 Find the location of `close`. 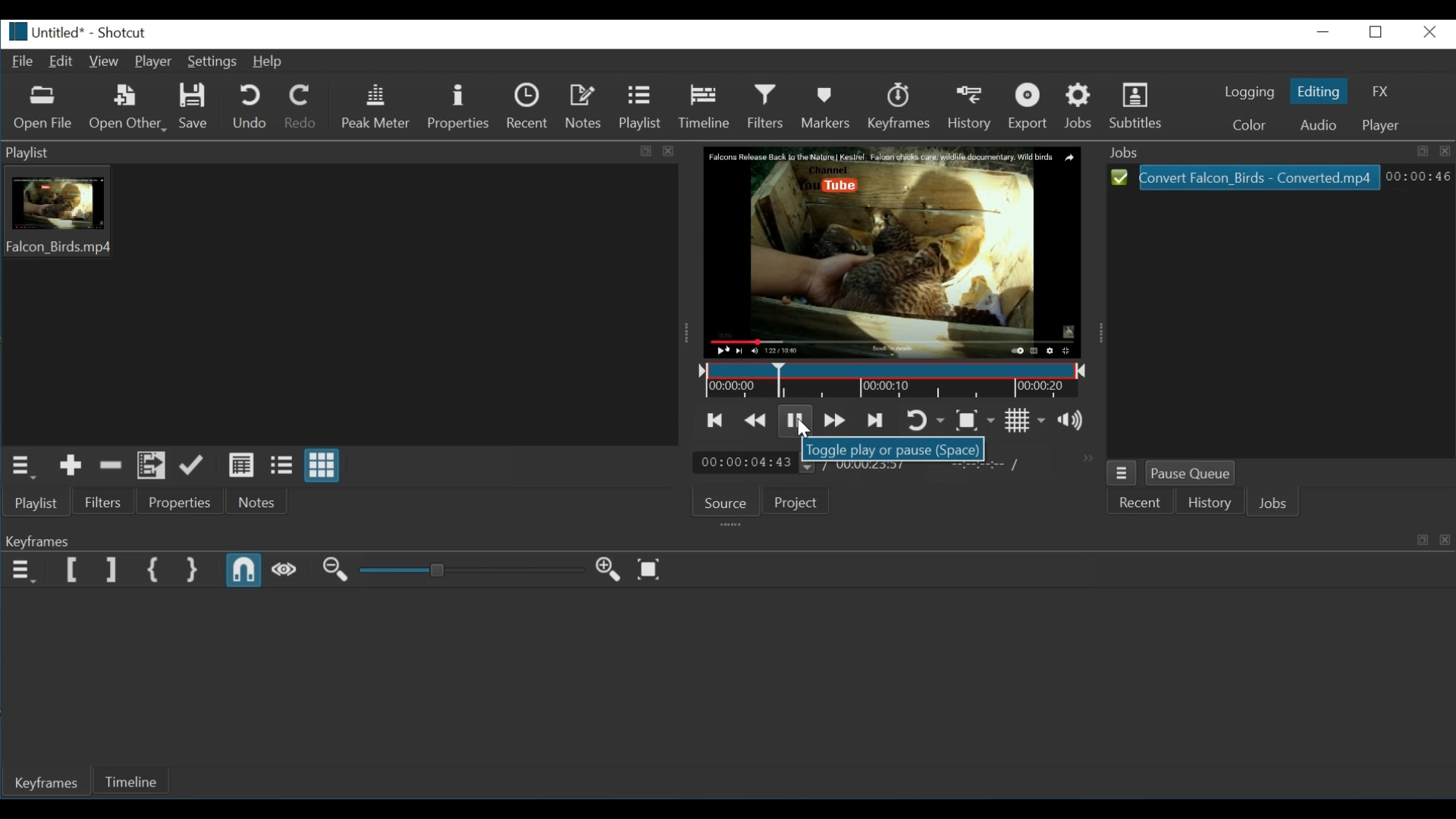

close is located at coordinates (1426, 34).